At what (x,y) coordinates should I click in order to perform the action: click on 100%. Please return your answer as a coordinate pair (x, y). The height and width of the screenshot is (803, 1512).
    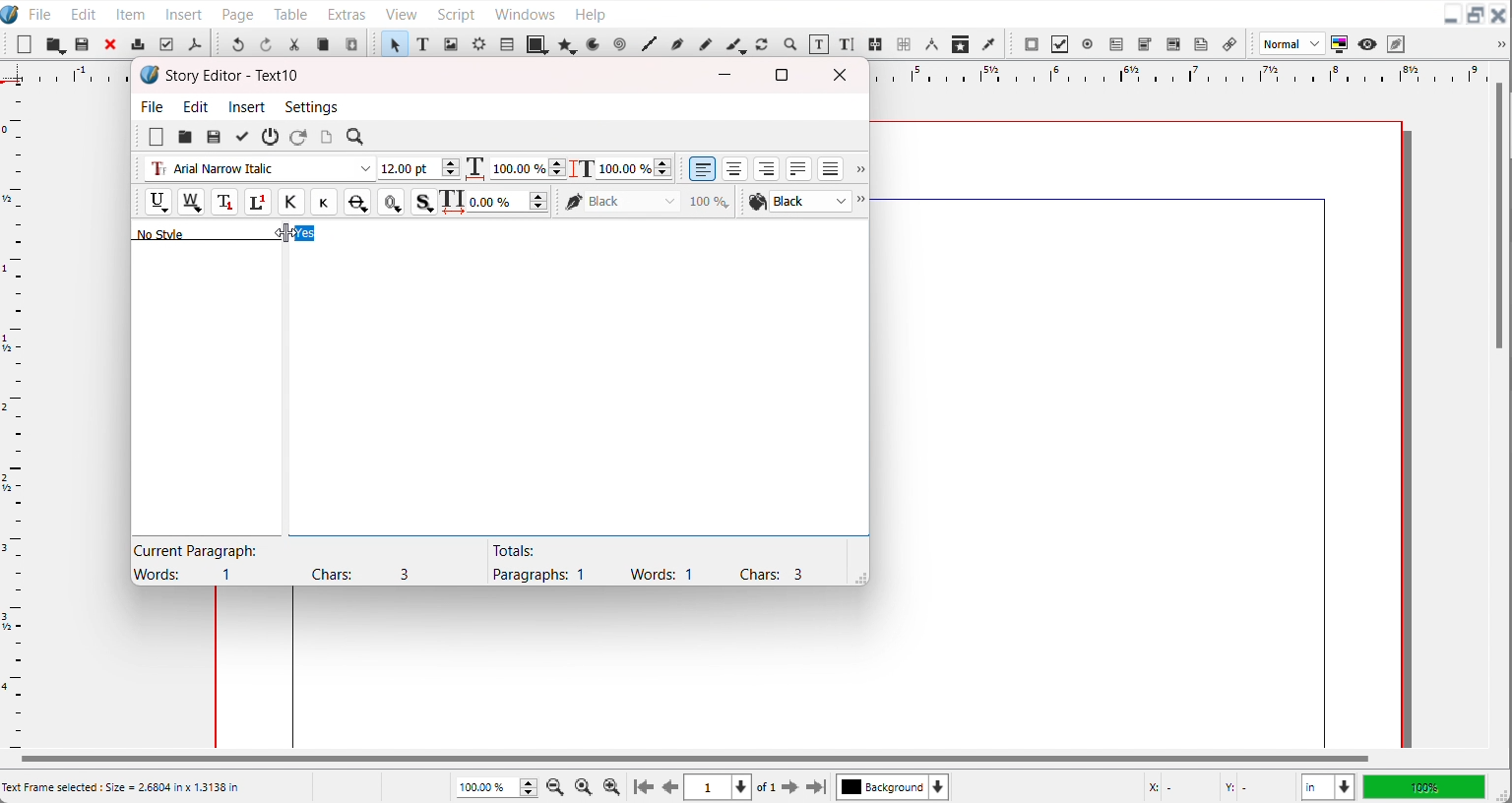
    Looking at the image, I should click on (1423, 786).